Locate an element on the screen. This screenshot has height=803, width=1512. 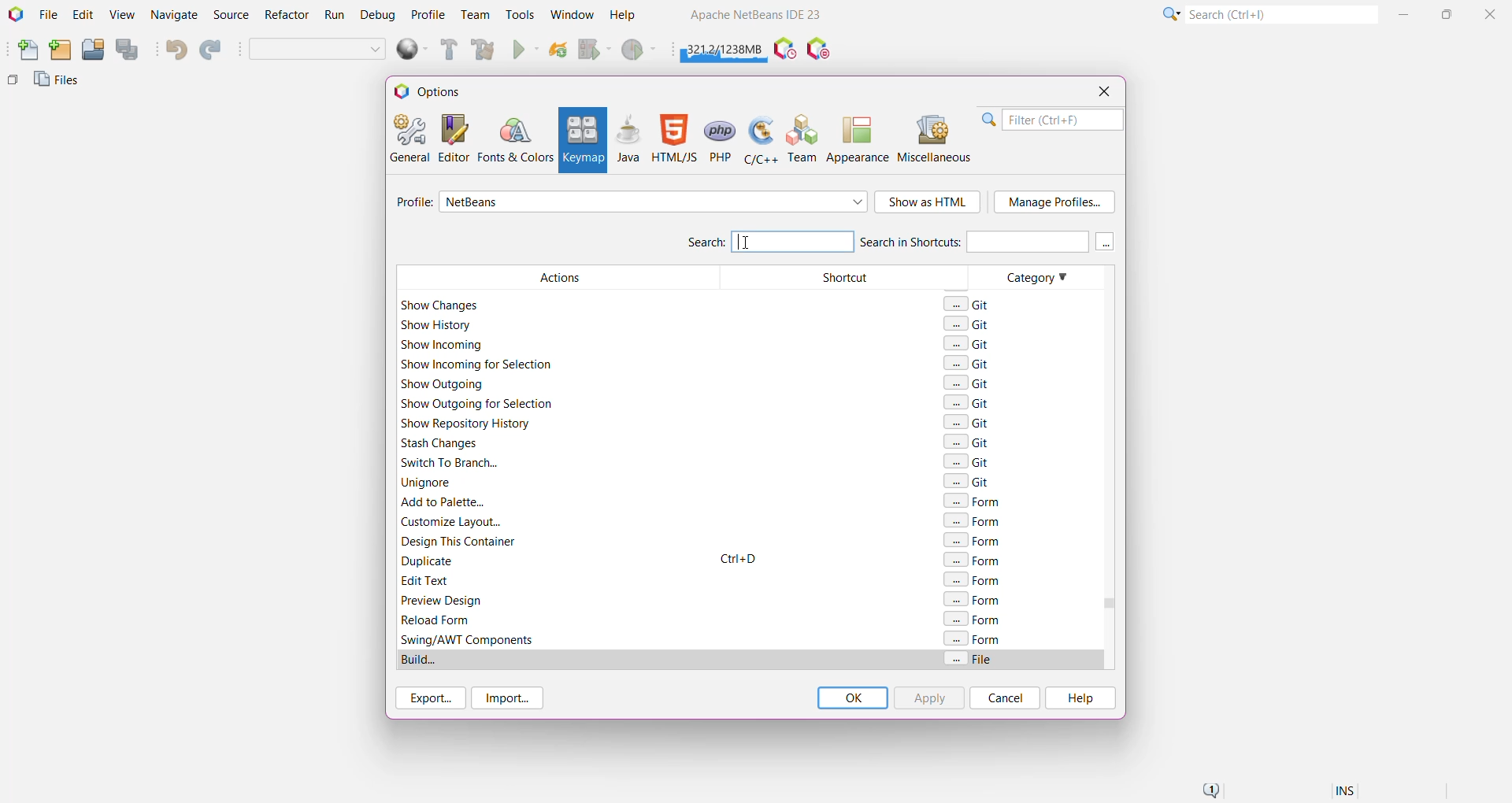
 is located at coordinates (13, 83).